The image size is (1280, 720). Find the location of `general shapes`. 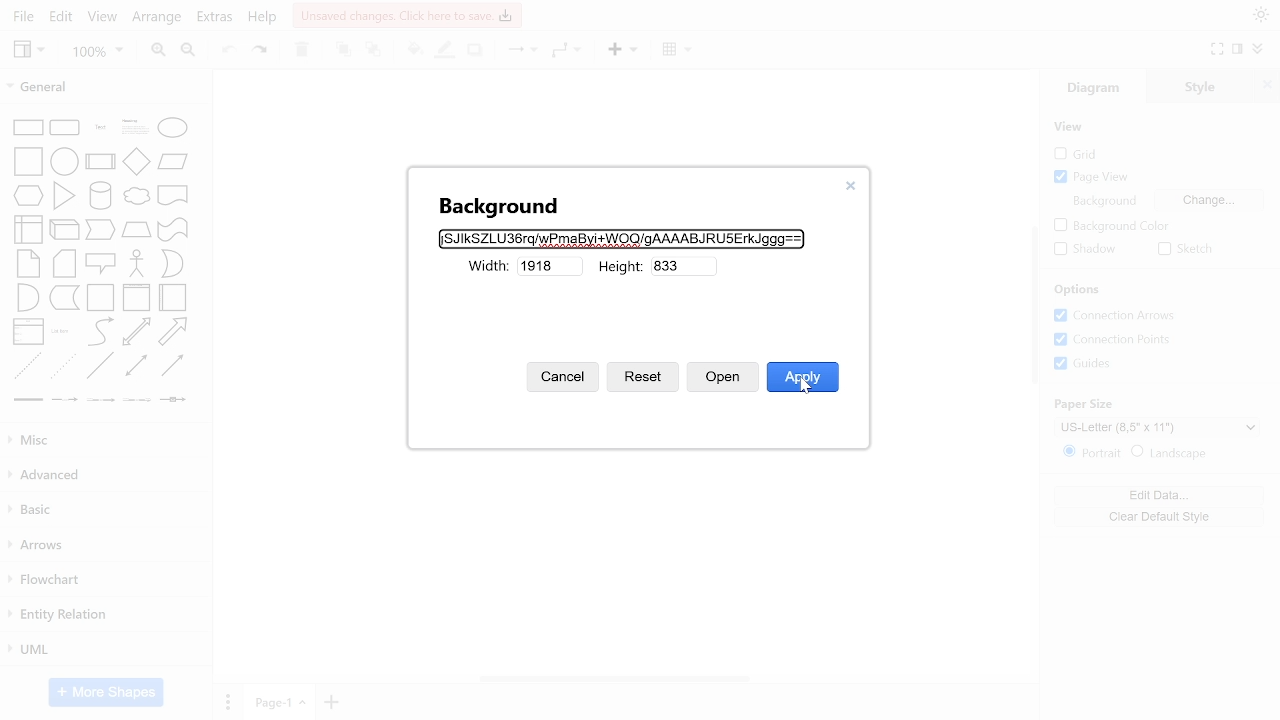

general shapes is located at coordinates (63, 296).